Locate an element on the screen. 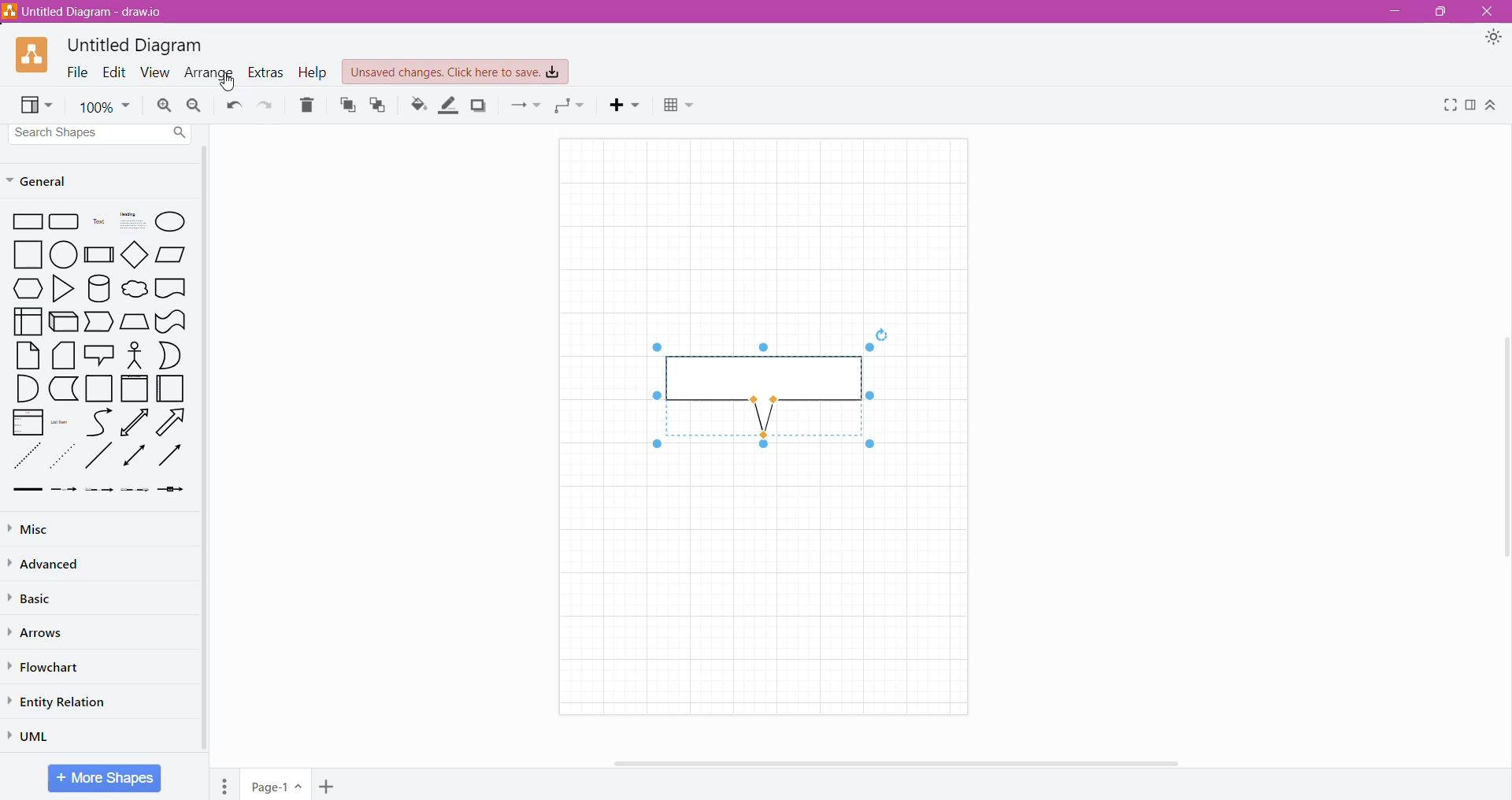 Image resolution: width=1512 pixels, height=800 pixels. Square is located at coordinates (22, 255).